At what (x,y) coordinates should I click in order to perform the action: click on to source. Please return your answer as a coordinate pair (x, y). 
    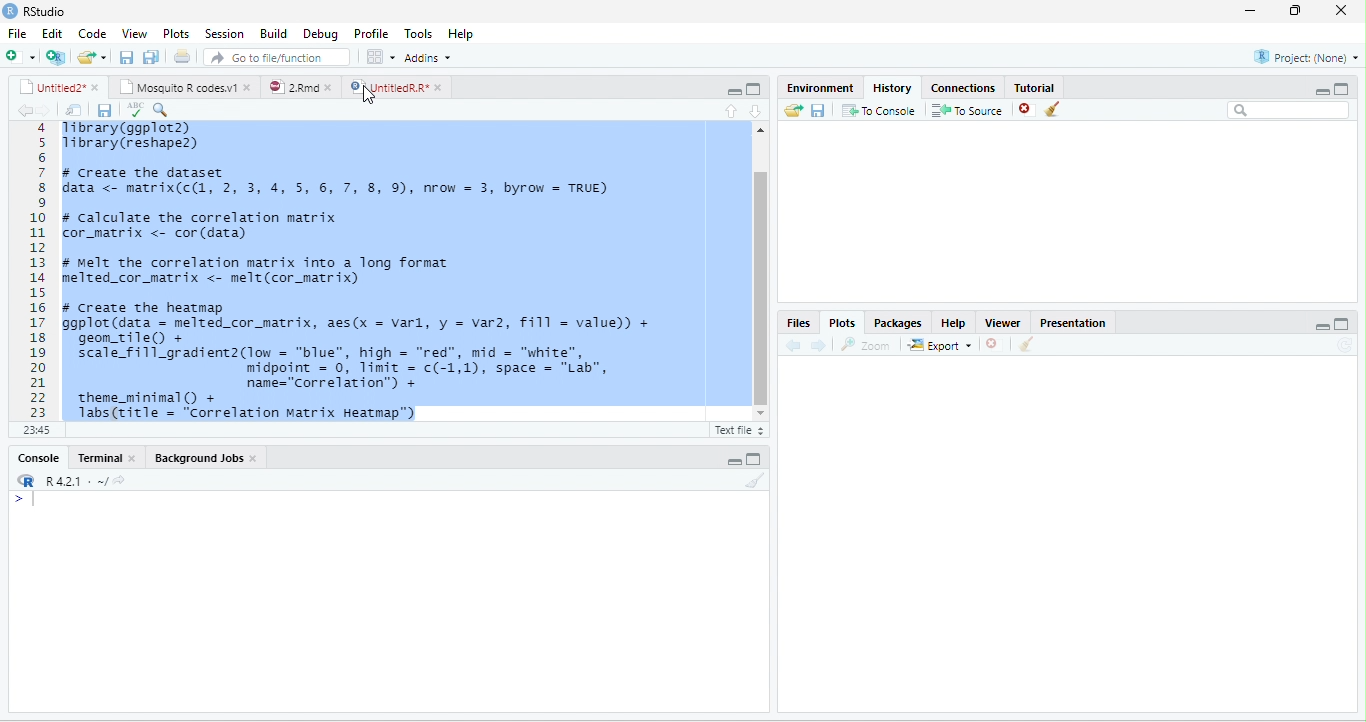
    Looking at the image, I should click on (965, 111).